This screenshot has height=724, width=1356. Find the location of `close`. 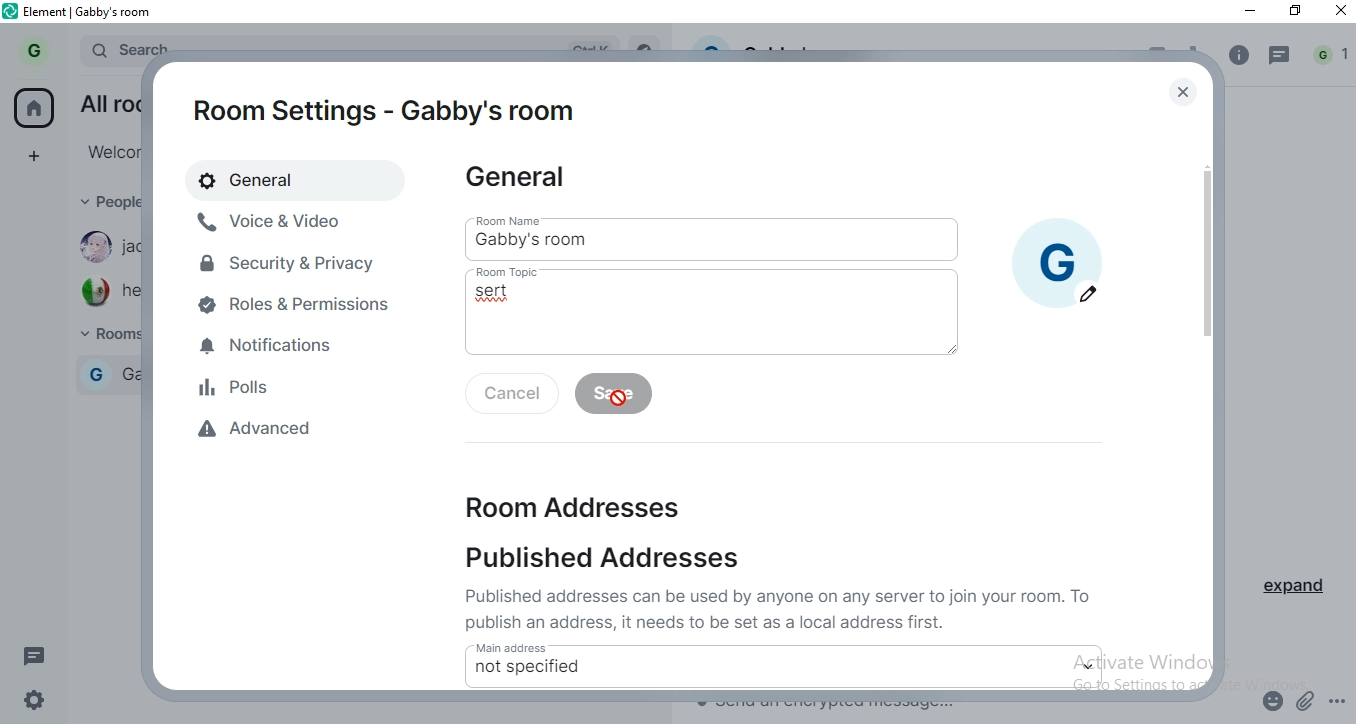

close is located at coordinates (1186, 92).